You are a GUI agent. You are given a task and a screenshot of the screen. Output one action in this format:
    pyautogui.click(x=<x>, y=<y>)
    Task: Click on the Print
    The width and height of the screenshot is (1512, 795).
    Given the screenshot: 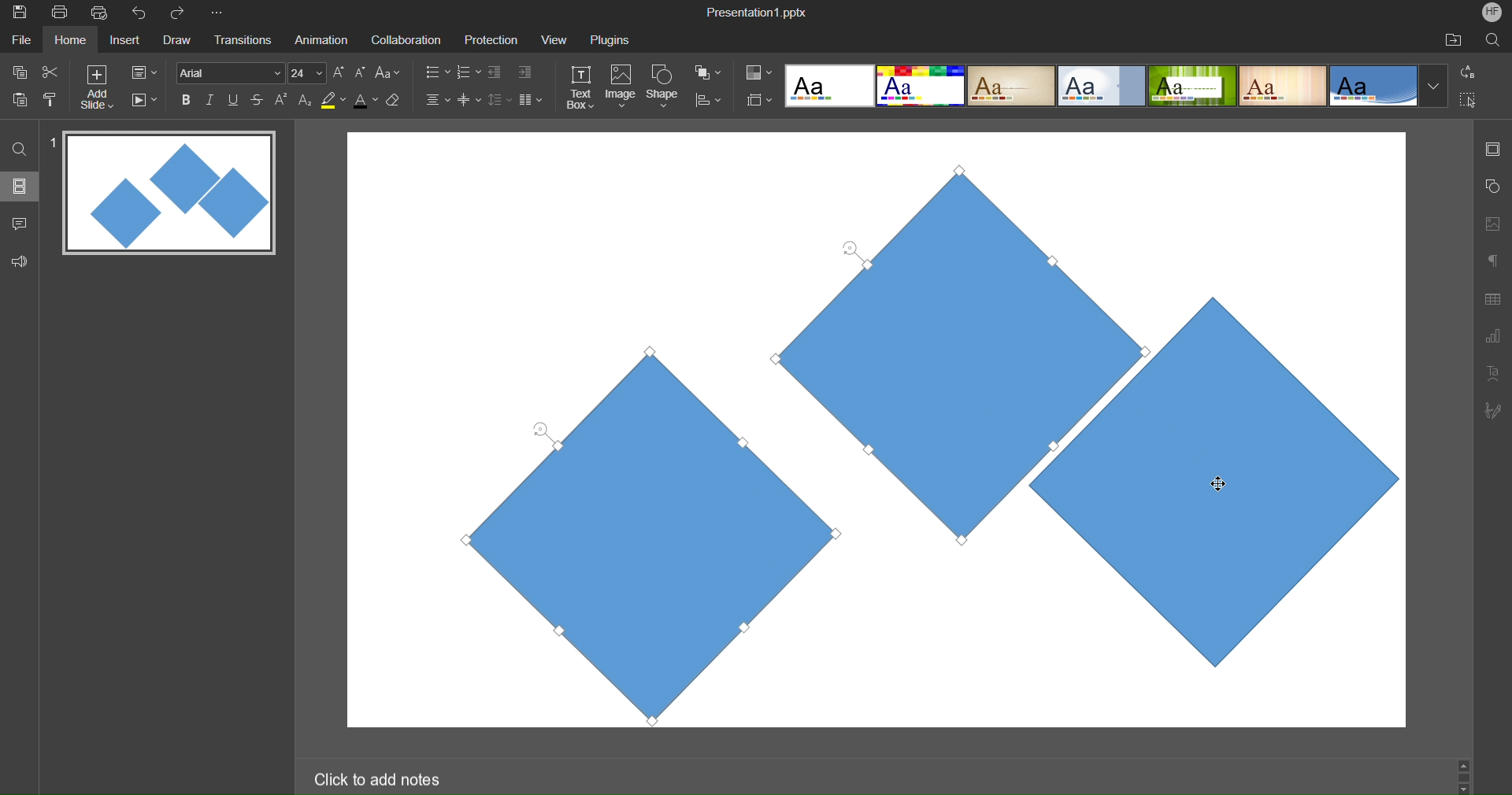 What is the action you would take?
    pyautogui.click(x=59, y=13)
    